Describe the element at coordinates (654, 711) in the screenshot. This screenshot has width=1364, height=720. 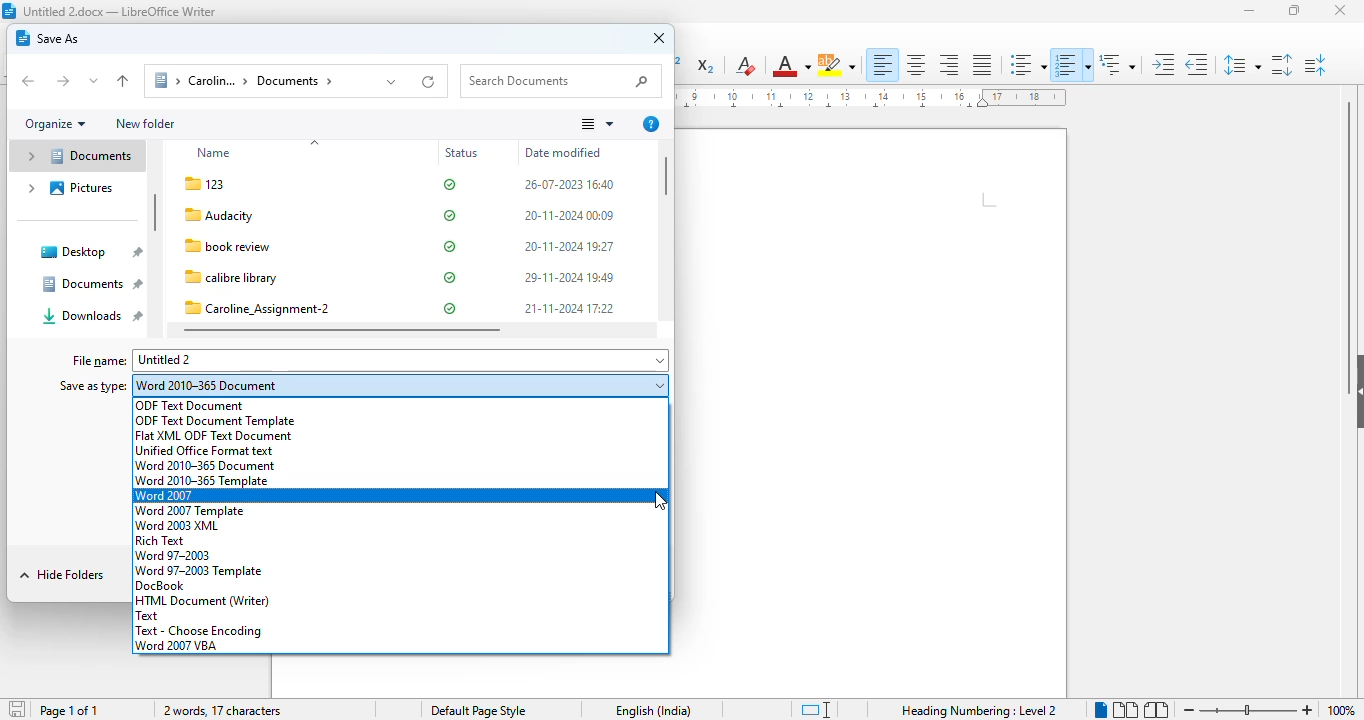
I see `text language` at that location.